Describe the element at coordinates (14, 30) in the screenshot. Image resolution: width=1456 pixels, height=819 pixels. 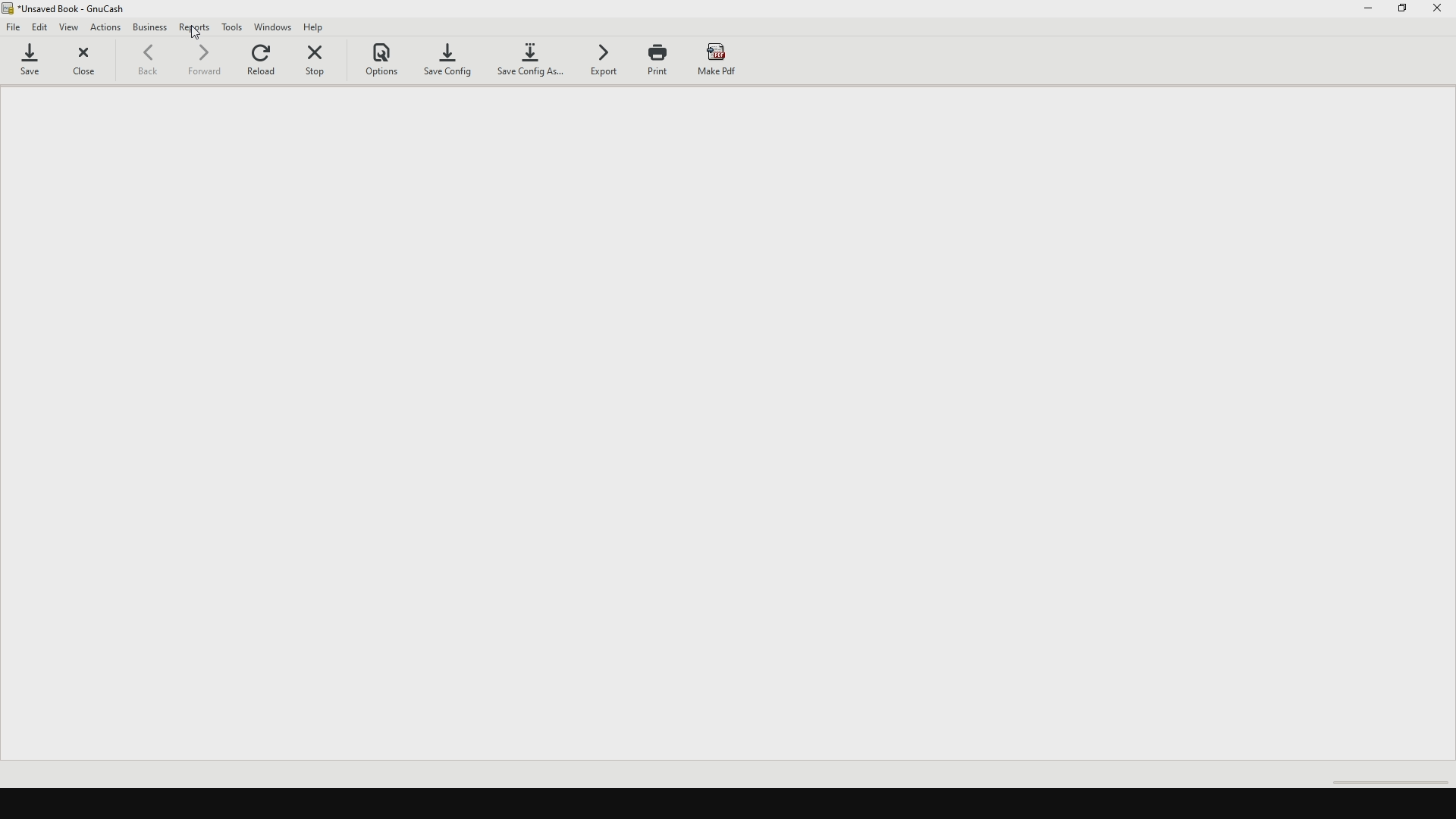
I see `file` at that location.